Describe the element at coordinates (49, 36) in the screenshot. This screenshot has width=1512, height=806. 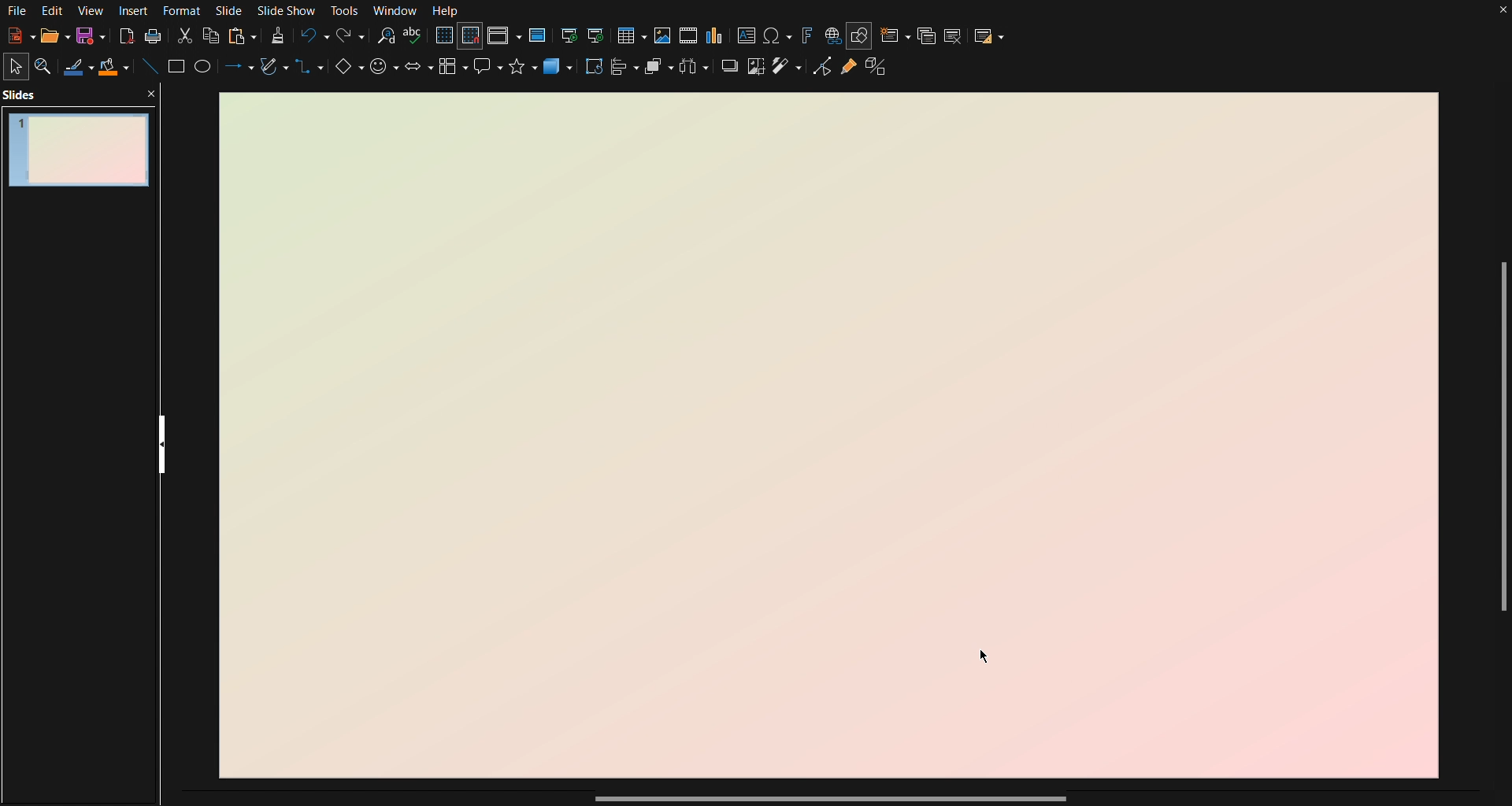
I see `Open` at that location.